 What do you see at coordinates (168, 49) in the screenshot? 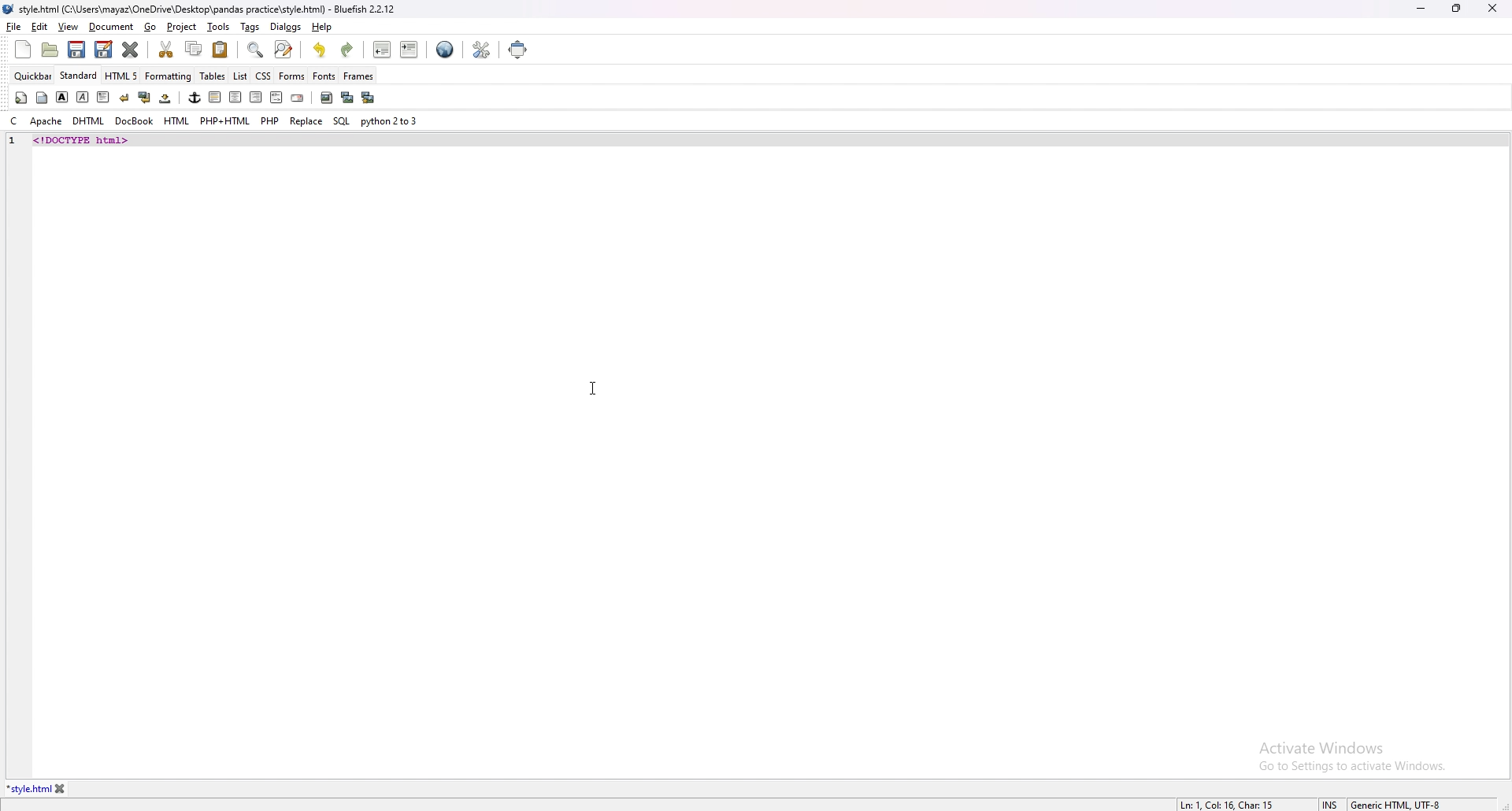
I see `cut` at bounding box center [168, 49].